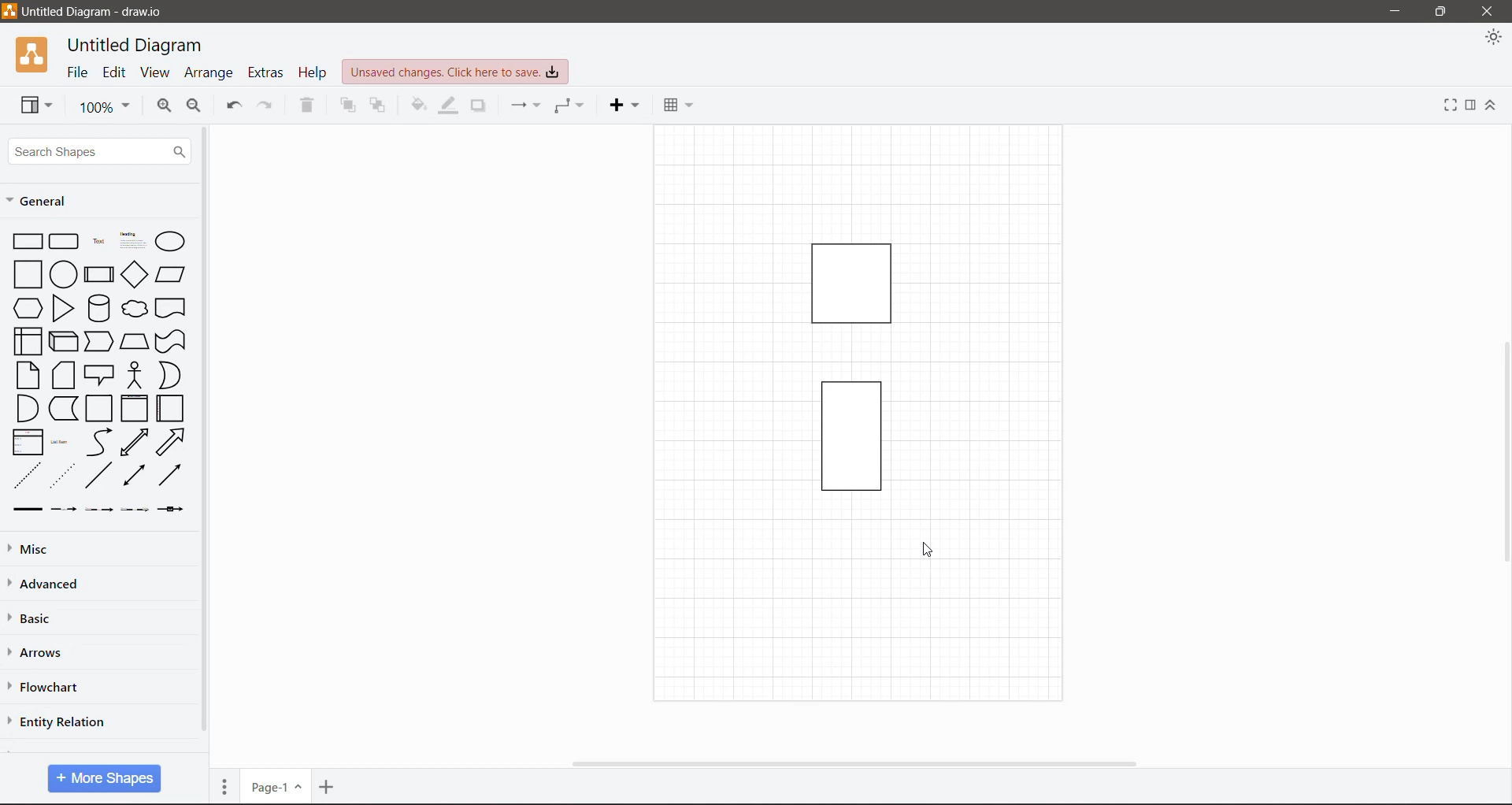  I want to click on To Front, so click(347, 106).